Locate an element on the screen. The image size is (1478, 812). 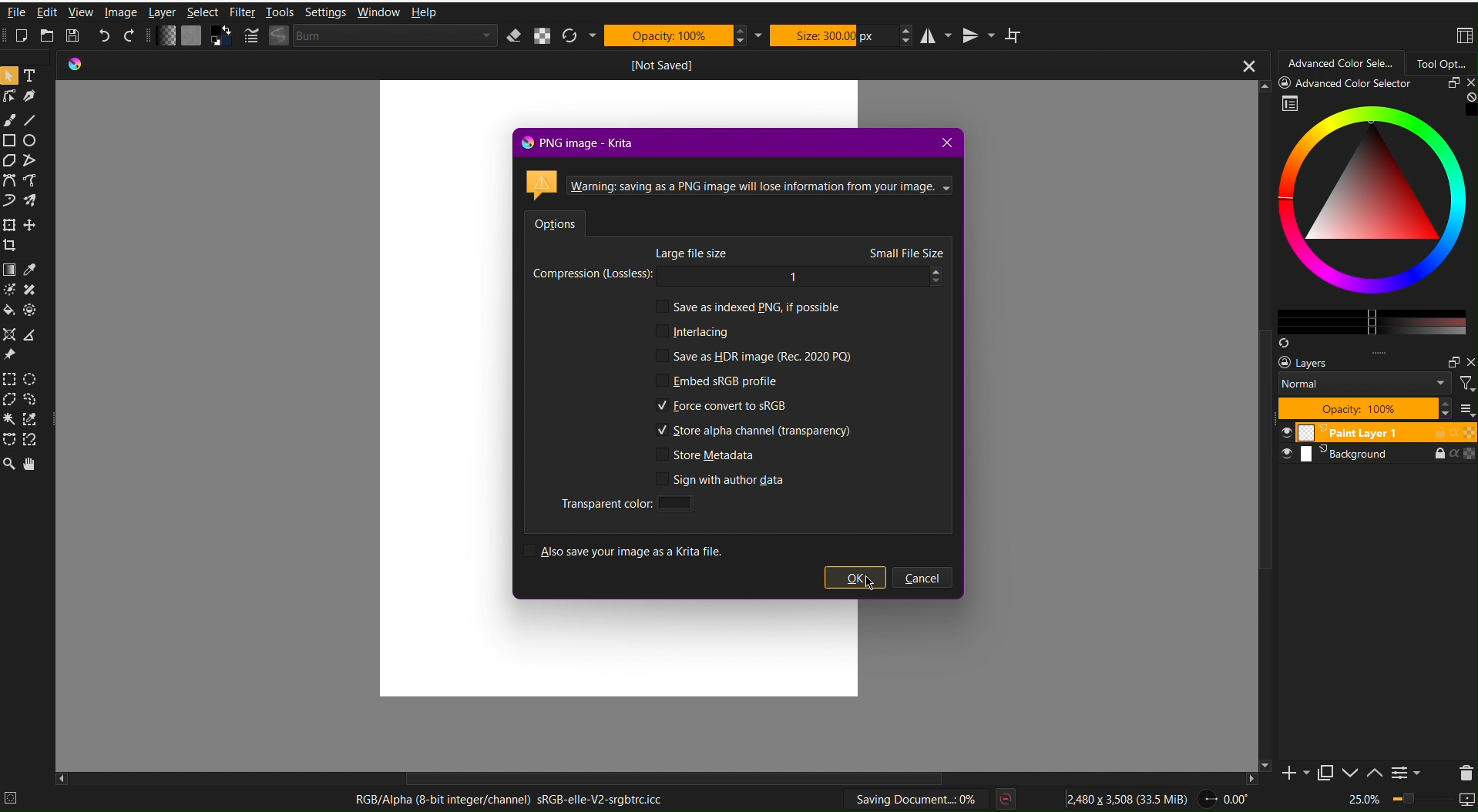
Redo is located at coordinates (130, 37).